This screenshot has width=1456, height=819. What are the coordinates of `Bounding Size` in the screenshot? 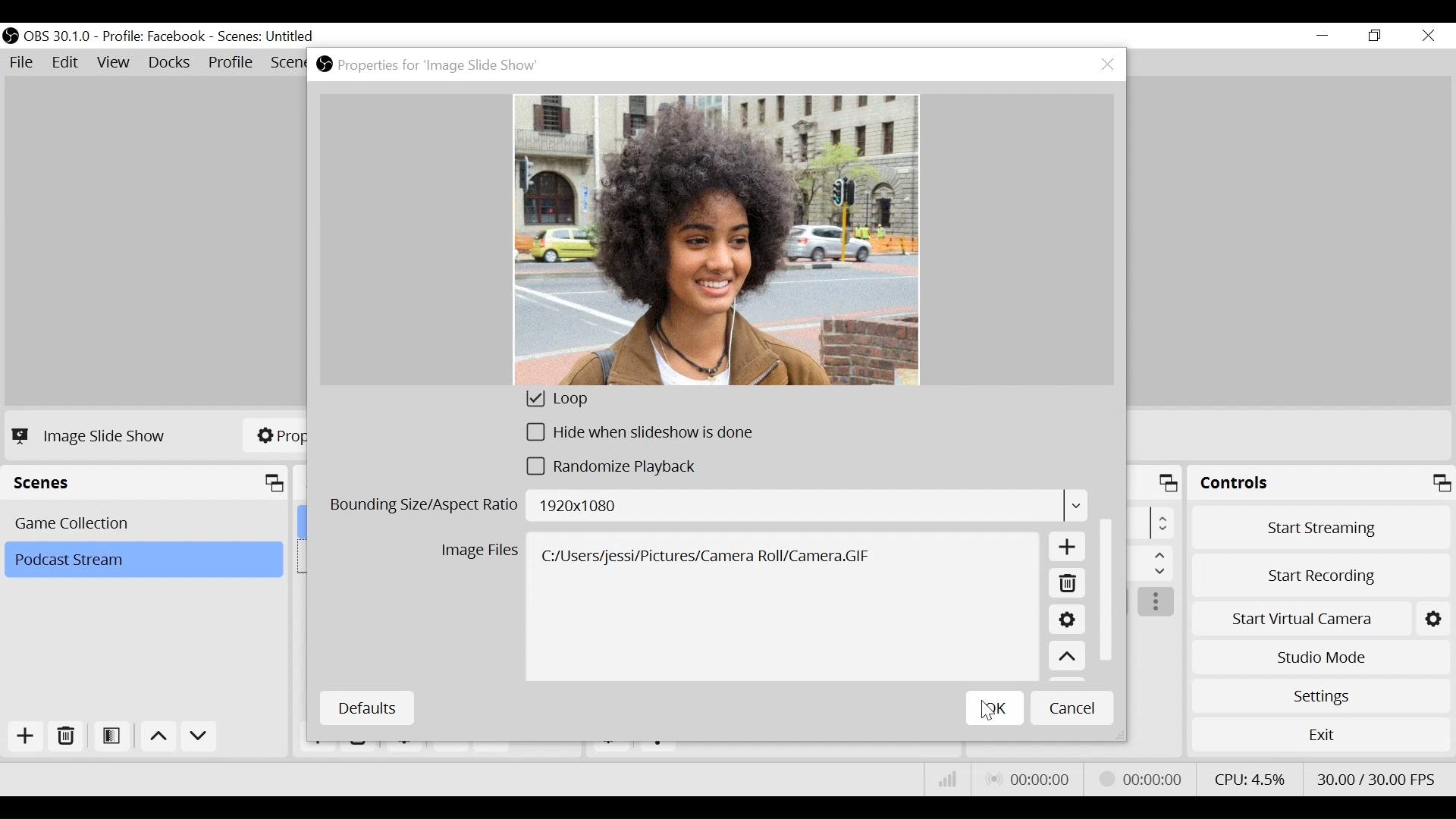 It's located at (707, 508).